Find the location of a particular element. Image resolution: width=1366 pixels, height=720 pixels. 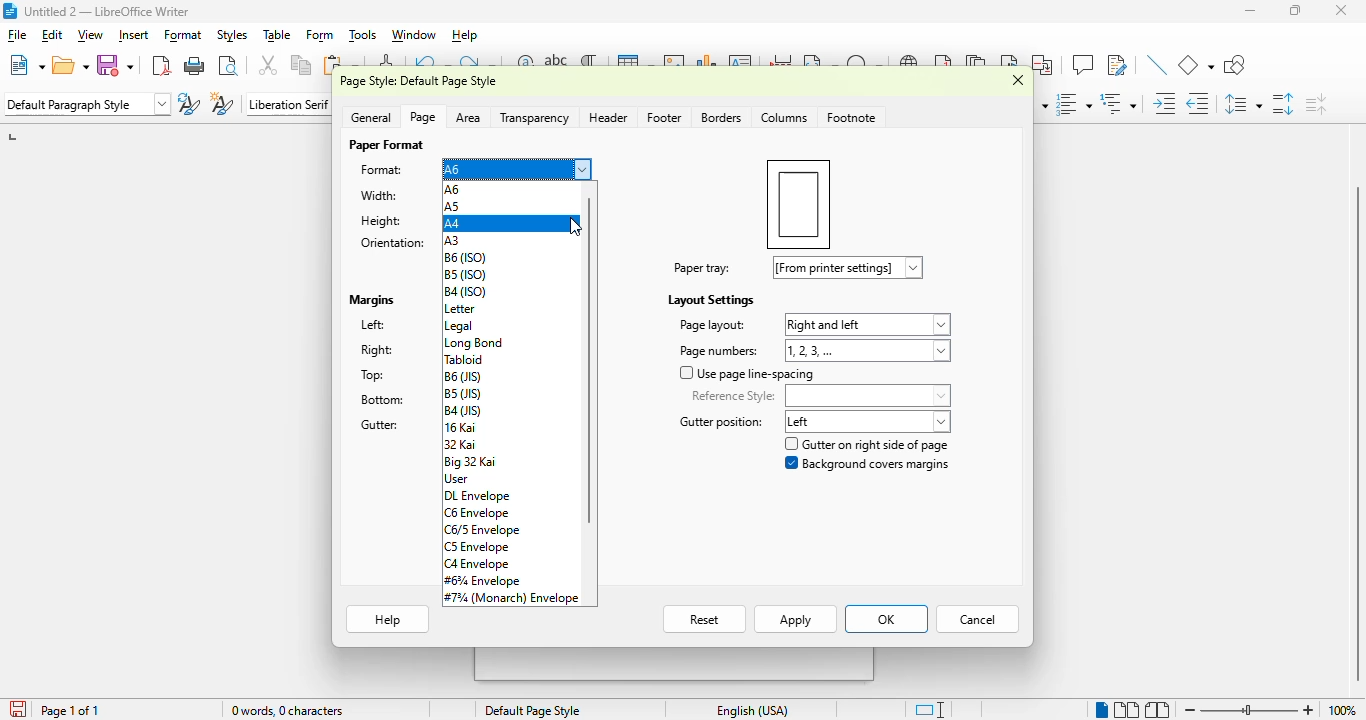

preview is located at coordinates (800, 204).